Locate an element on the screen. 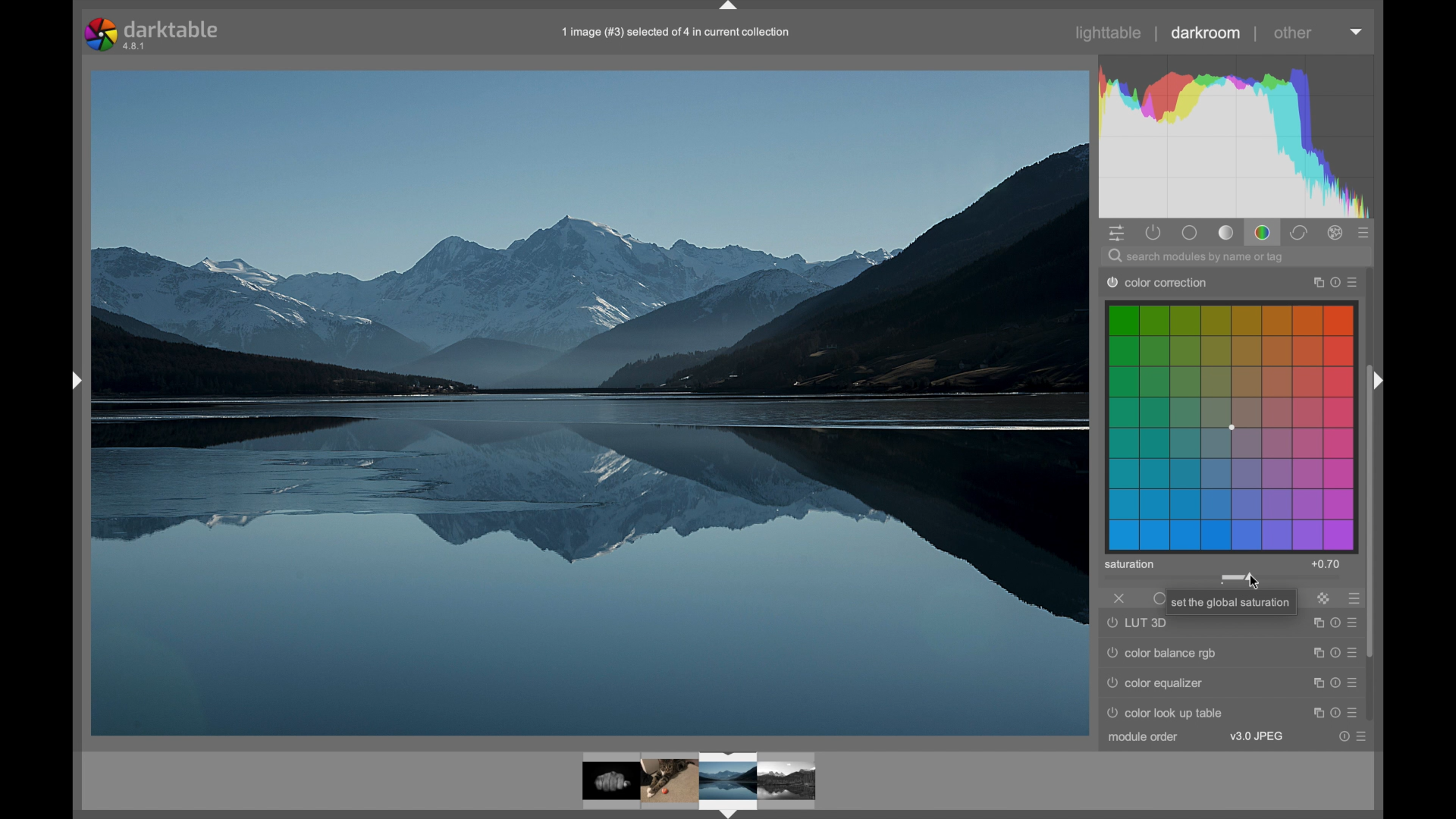 The height and width of the screenshot is (819, 1456). more options is located at coordinates (1334, 281).